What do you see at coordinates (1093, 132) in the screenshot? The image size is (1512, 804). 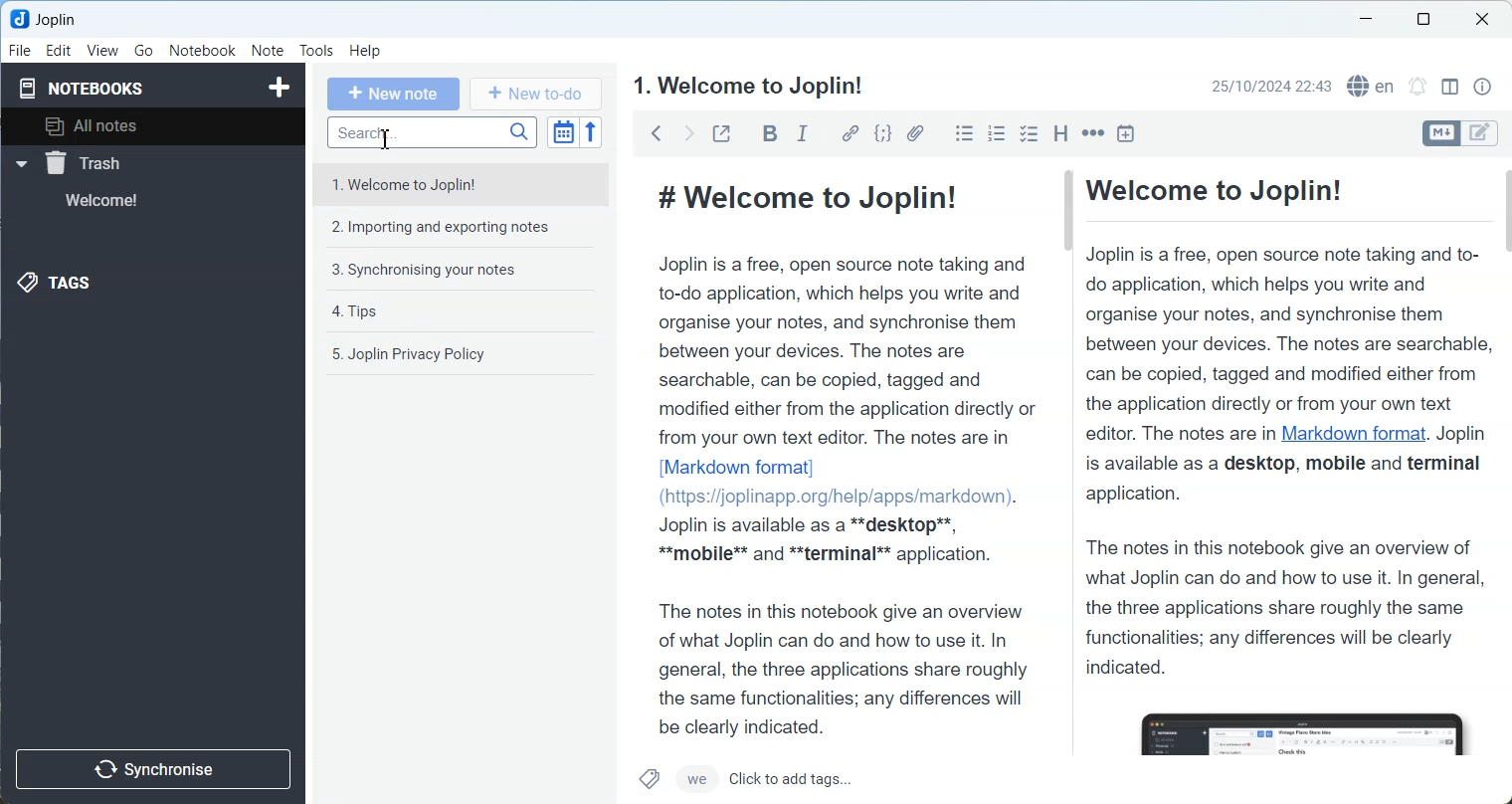 I see `Horizontal Rule` at bounding box center [1093, 132].